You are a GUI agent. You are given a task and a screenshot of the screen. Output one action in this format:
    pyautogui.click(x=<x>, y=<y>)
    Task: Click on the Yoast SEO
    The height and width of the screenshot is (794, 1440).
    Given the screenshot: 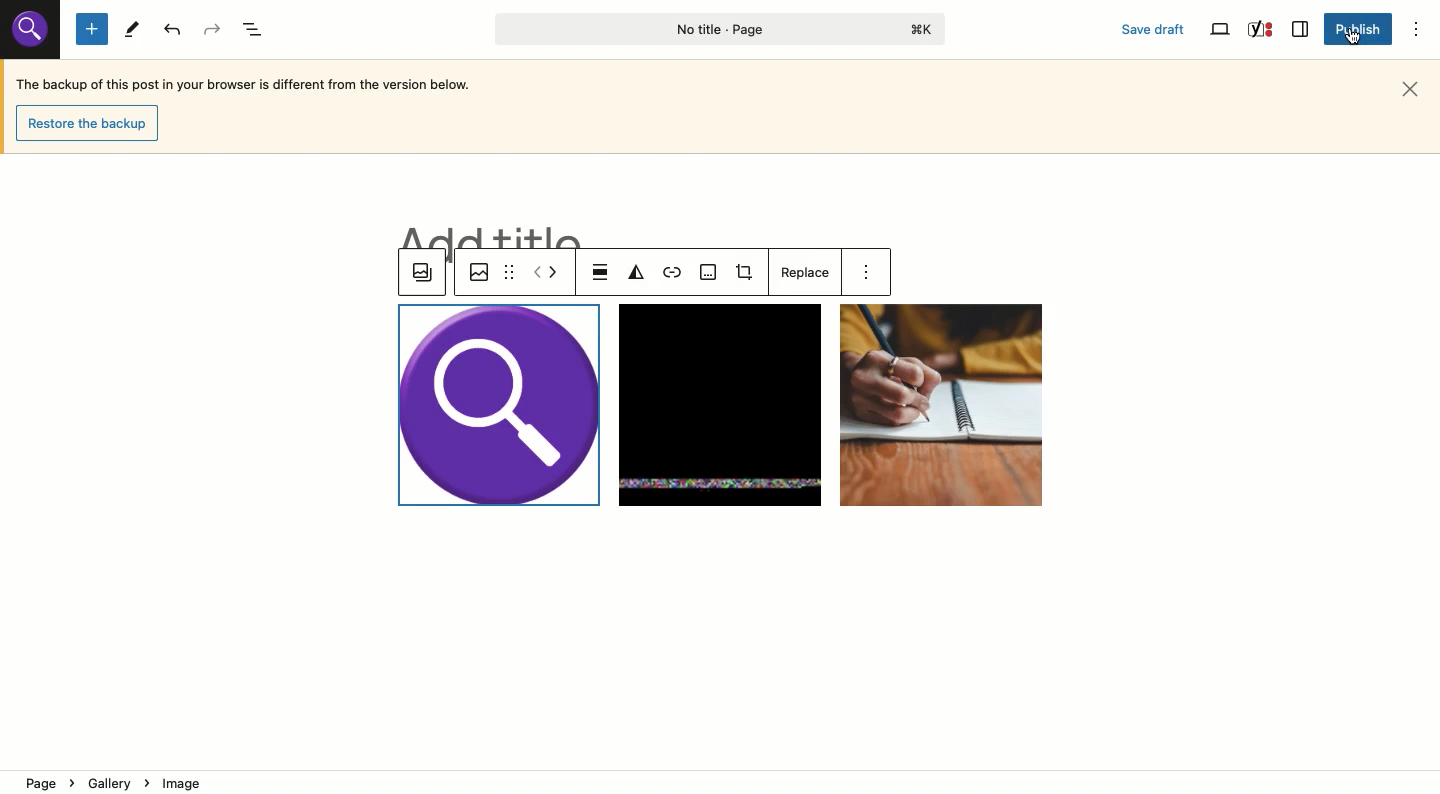 What is the action you would take?
    pyautogui.click(x=1261, y=30)
    